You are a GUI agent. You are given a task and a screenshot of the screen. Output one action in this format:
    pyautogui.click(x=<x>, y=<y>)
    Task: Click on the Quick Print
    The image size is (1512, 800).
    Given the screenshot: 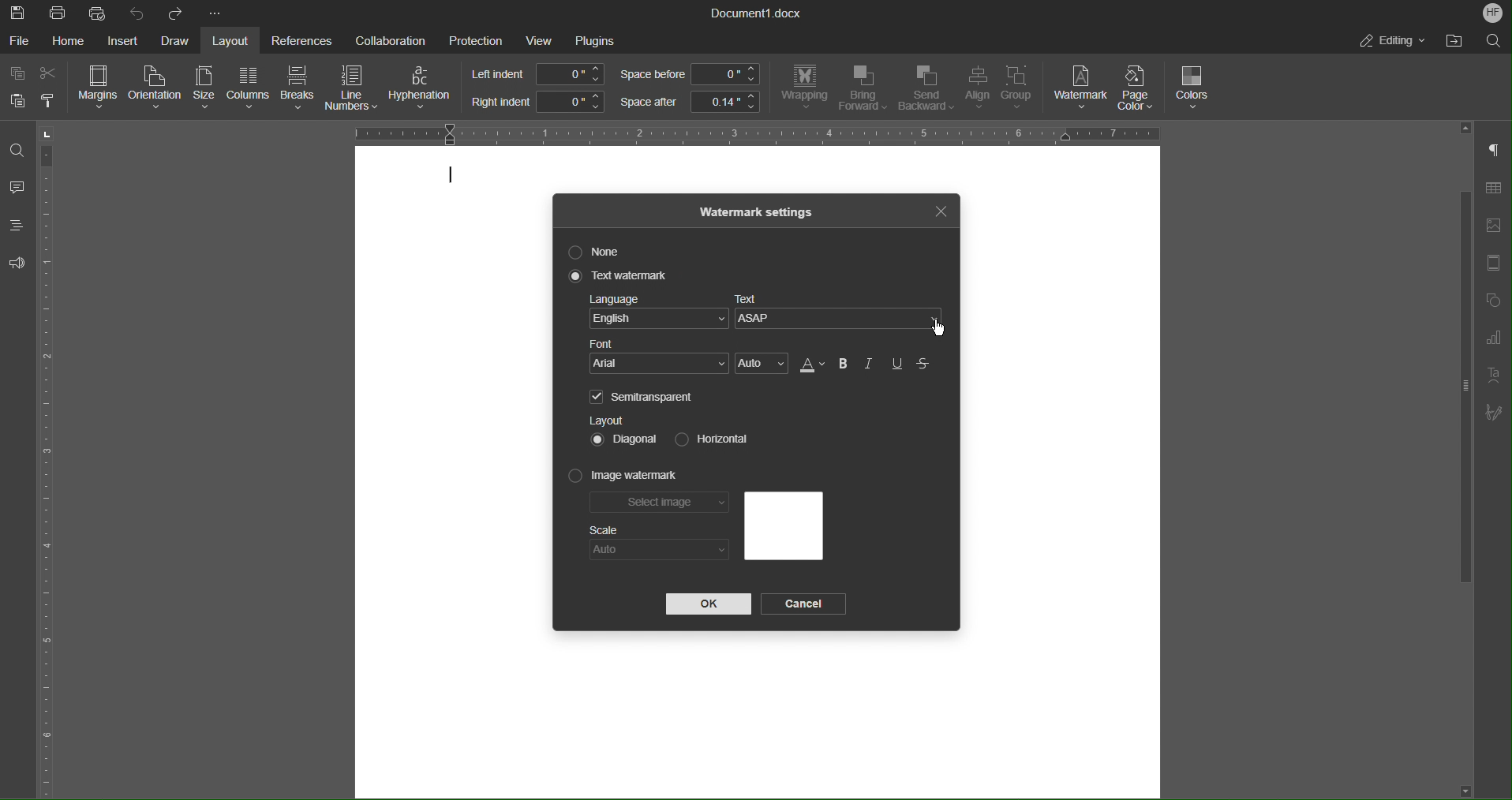 What is the action you would take?
    pyautogui.click(x=99, y=13)
    